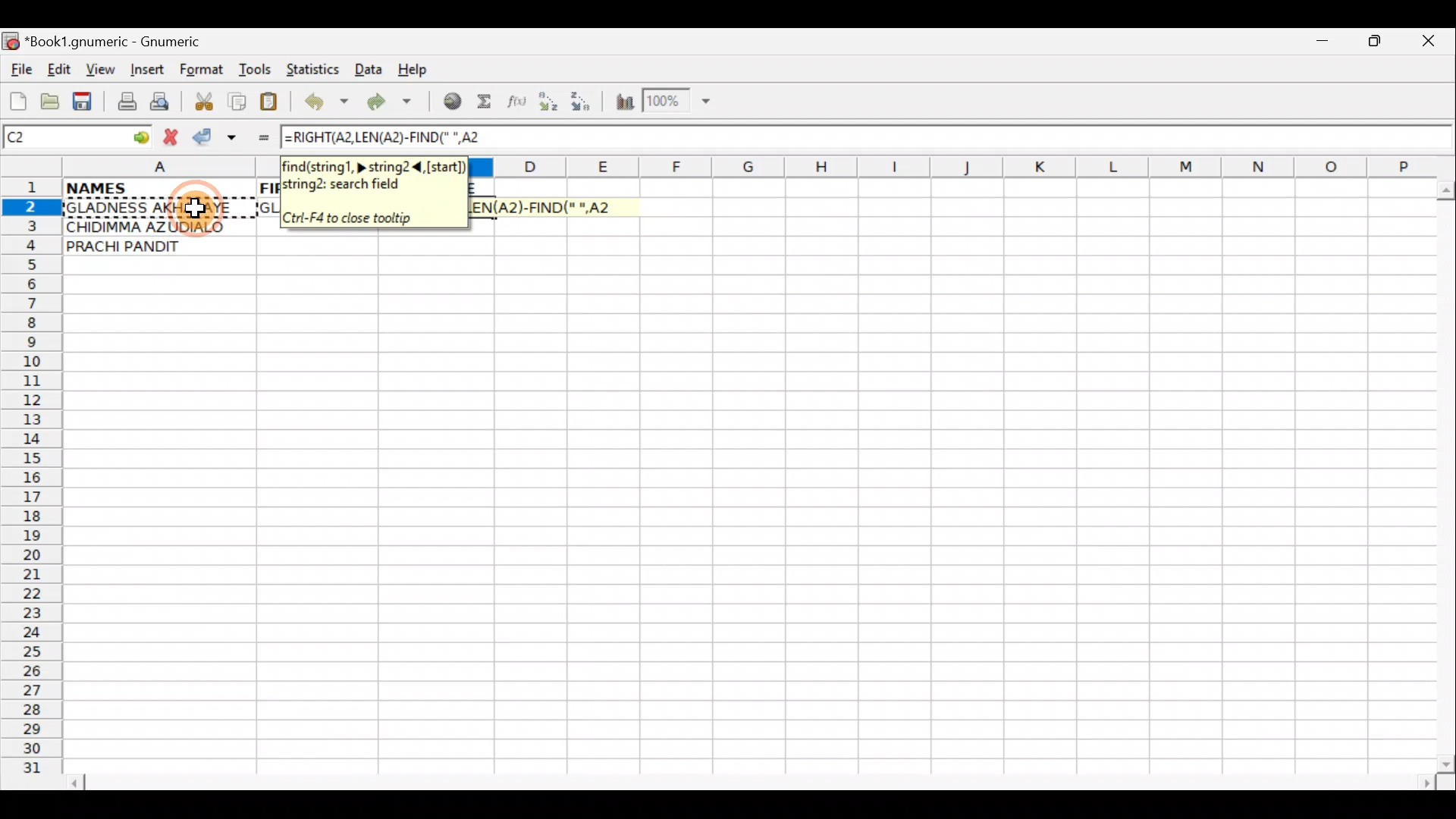  Describe the element at coordinates (127, 42) in the screenshot. I see `*Book1.gnumeric - Gnumeric` at that location.